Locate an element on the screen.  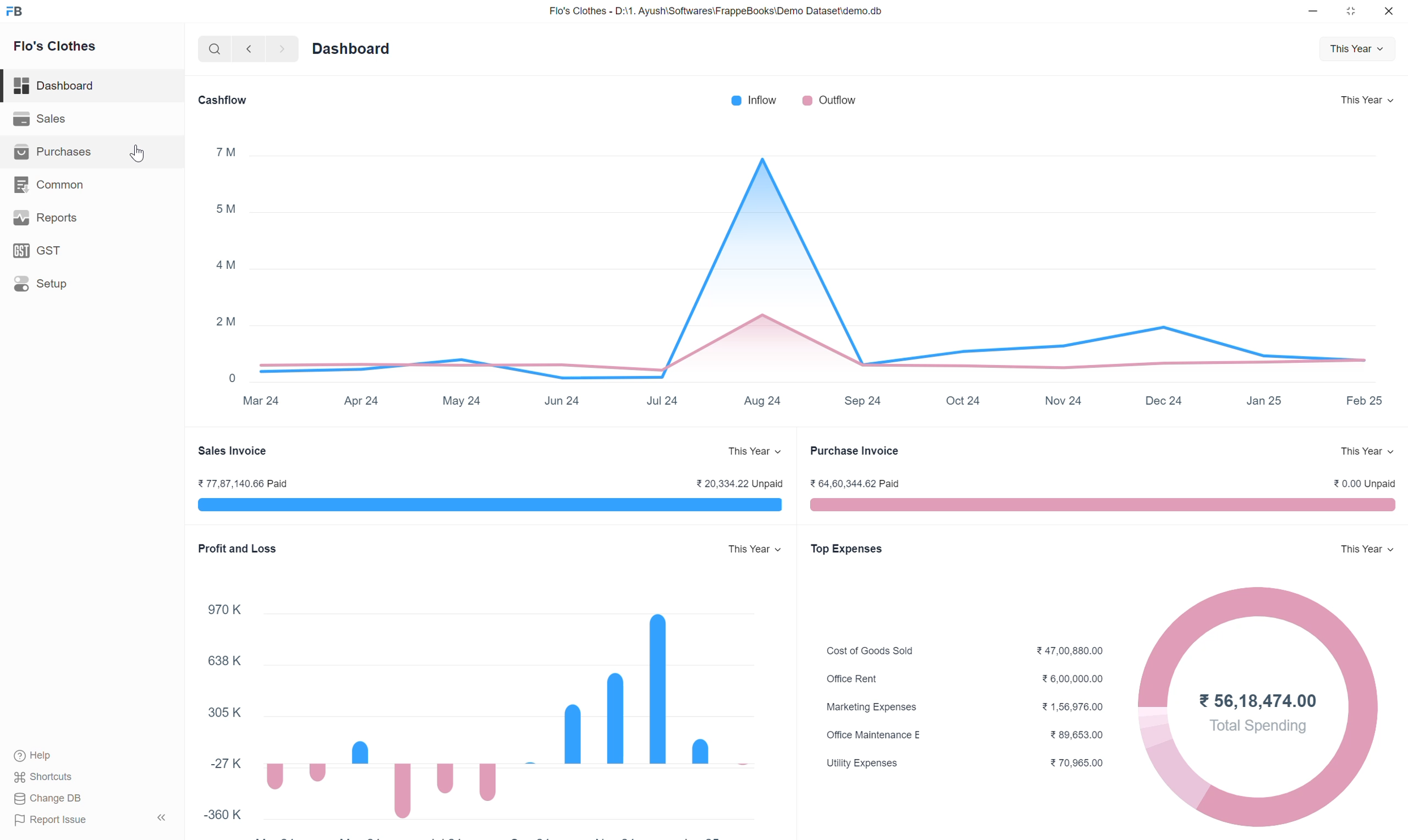
Feb 25 is located at coordinates (1365, 400).